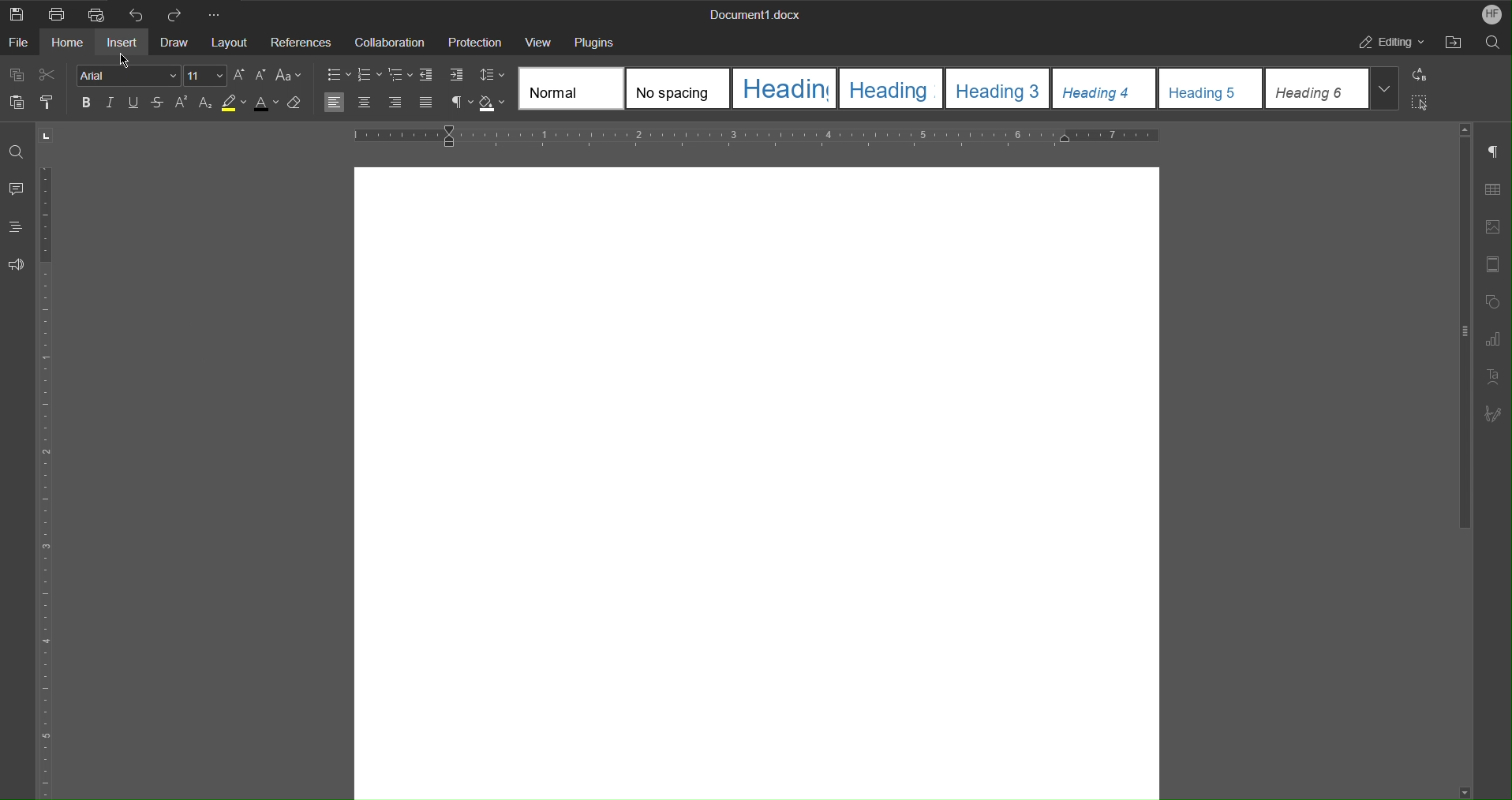  Describe the element at coordinates (17, 152) in the screenshot. I see `Find` at that location.